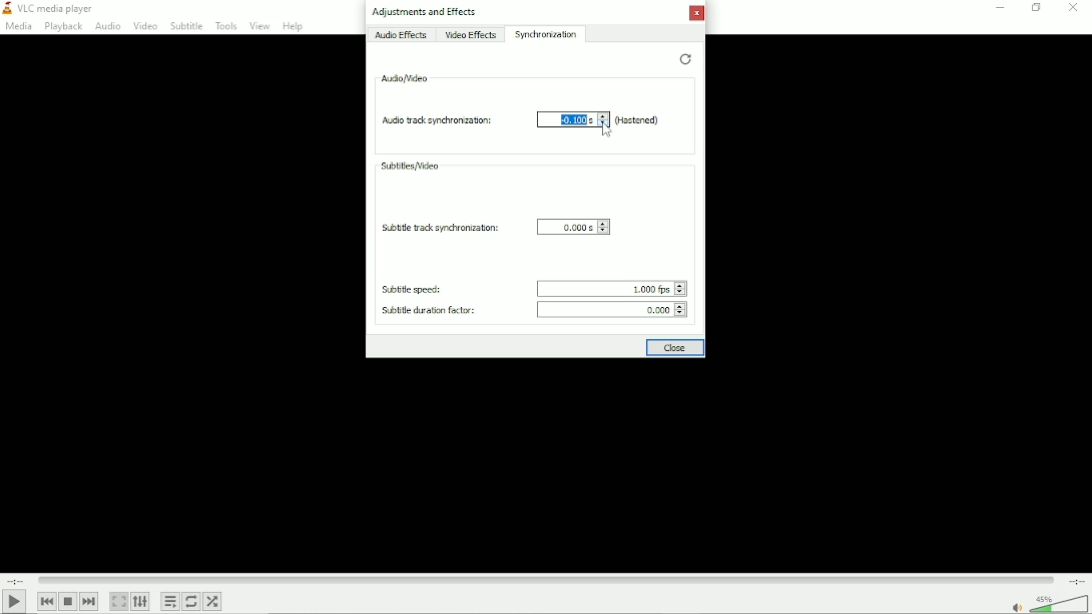  What do you see at coordinates (566, 226) in the screenshot?
I see `set Subtitle track synchronization` at bounding box center [566, 226].